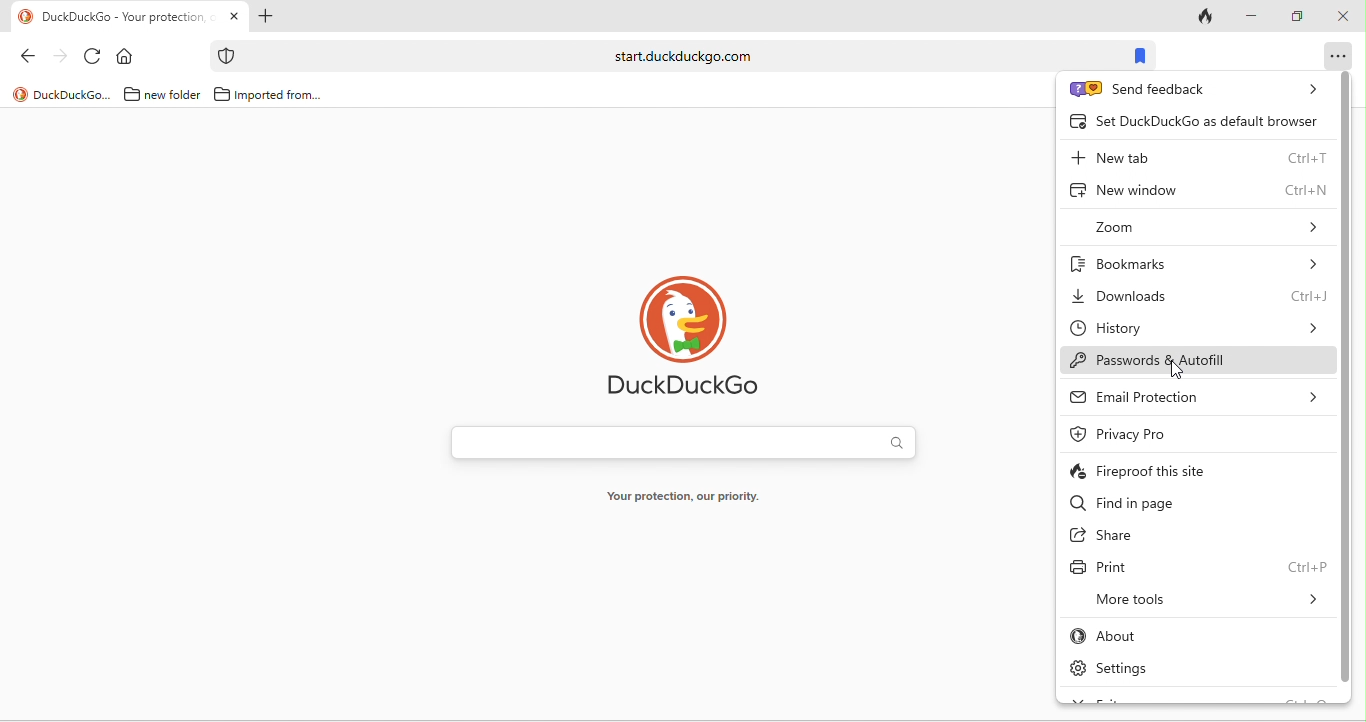  Describe the element at coordinates (694, 341) in the screenshot. I see `duck duck go logo` at that location.